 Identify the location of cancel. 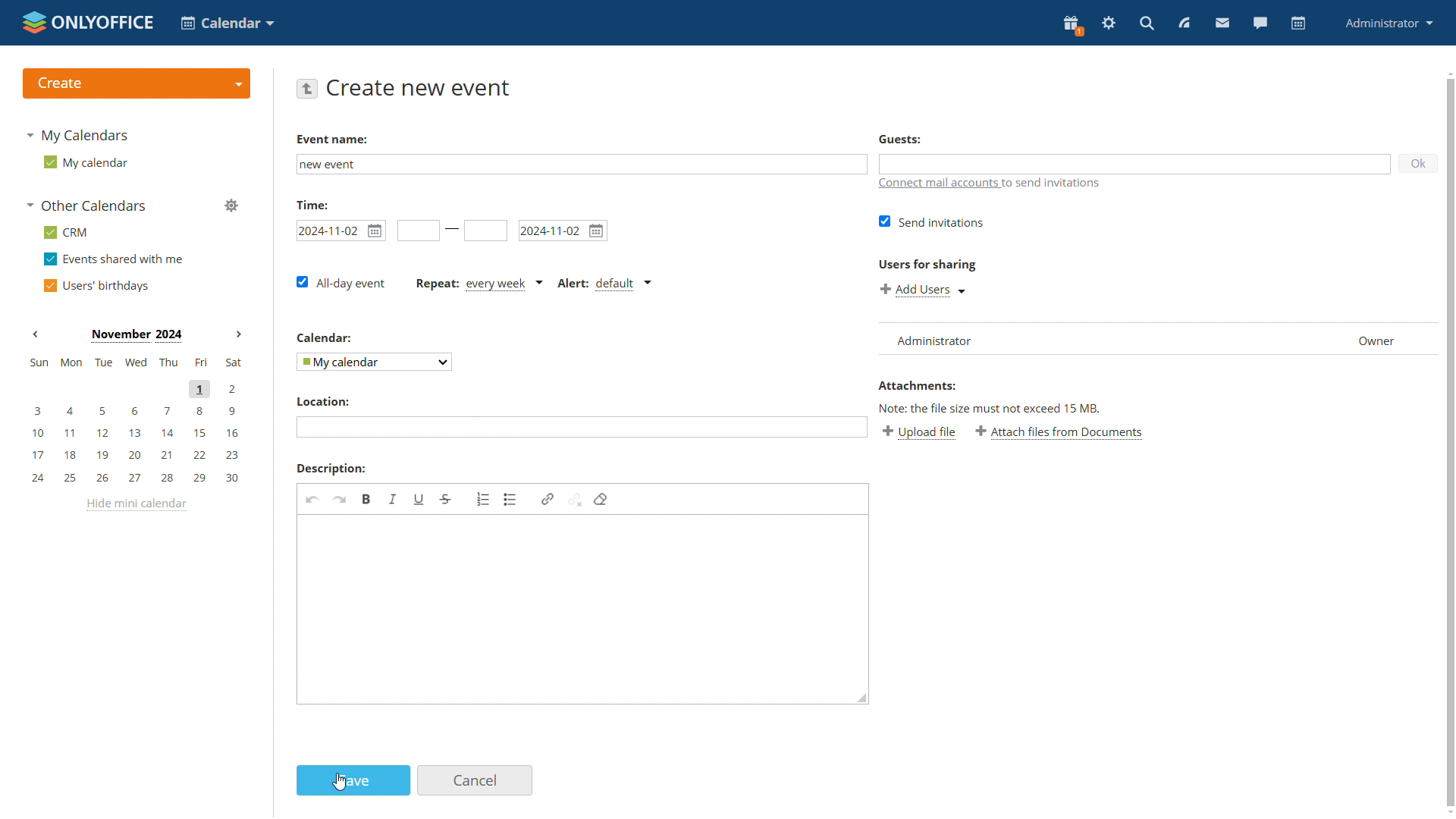
(476, 780).